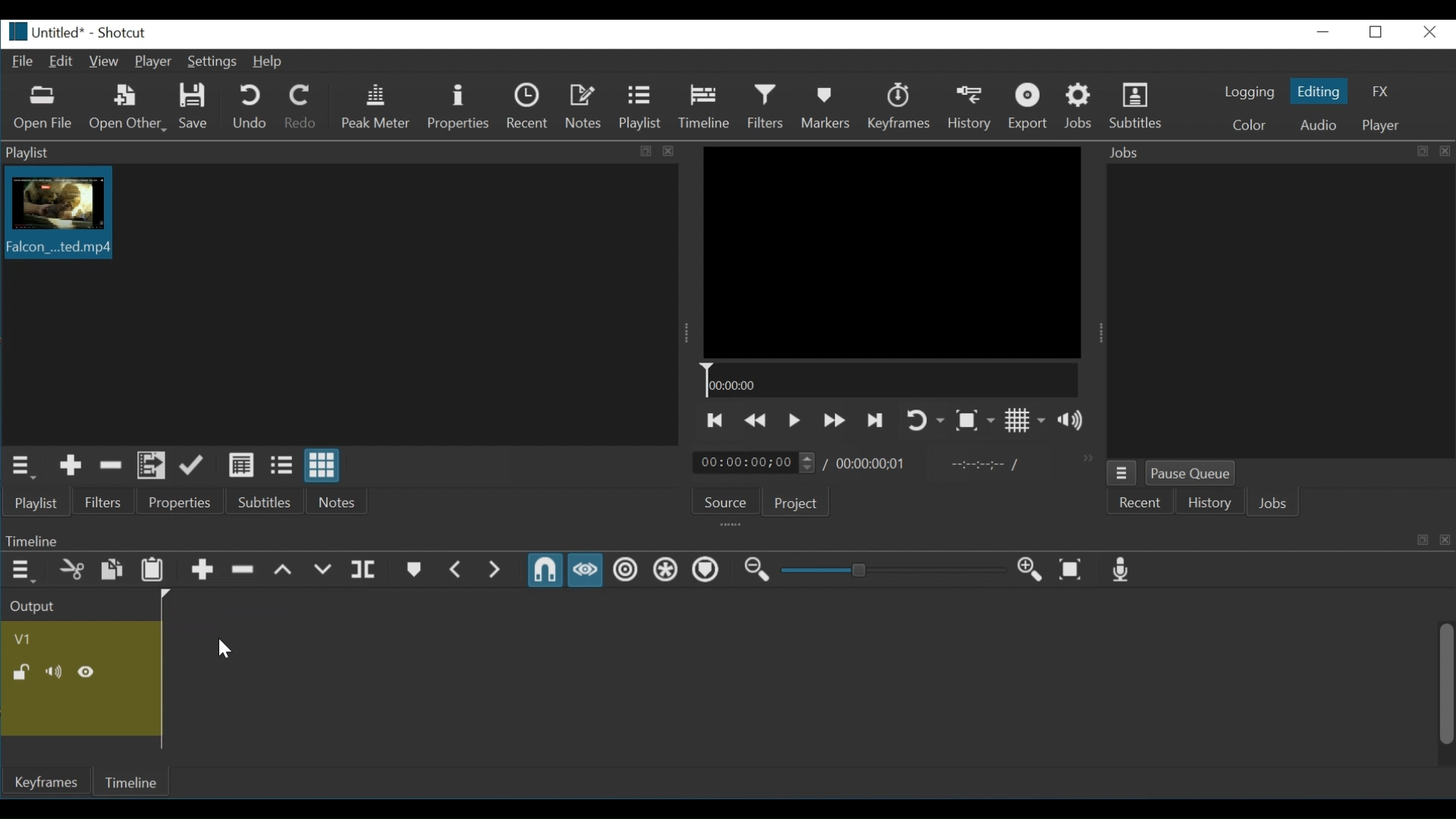 The image size is (1456, 819). What do you see at coordinates (72, 466) in the screenshot?
I see `Add the source to the playlist` at bounding box center [72, 466].